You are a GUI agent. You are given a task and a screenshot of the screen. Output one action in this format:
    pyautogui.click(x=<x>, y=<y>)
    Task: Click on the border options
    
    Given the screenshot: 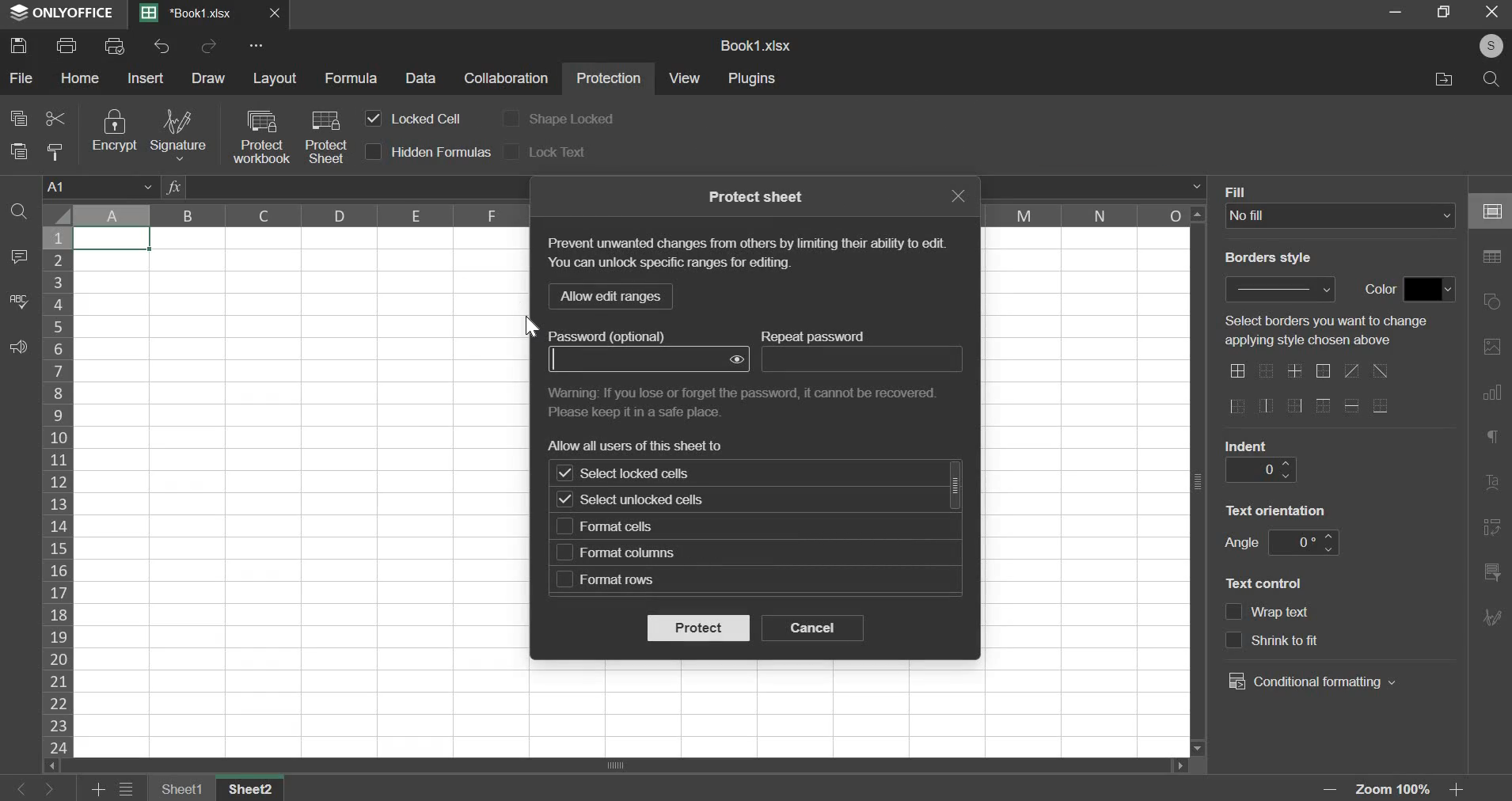 What is the action you would take?
    pyautogui.click(x=1267, y=373)
    